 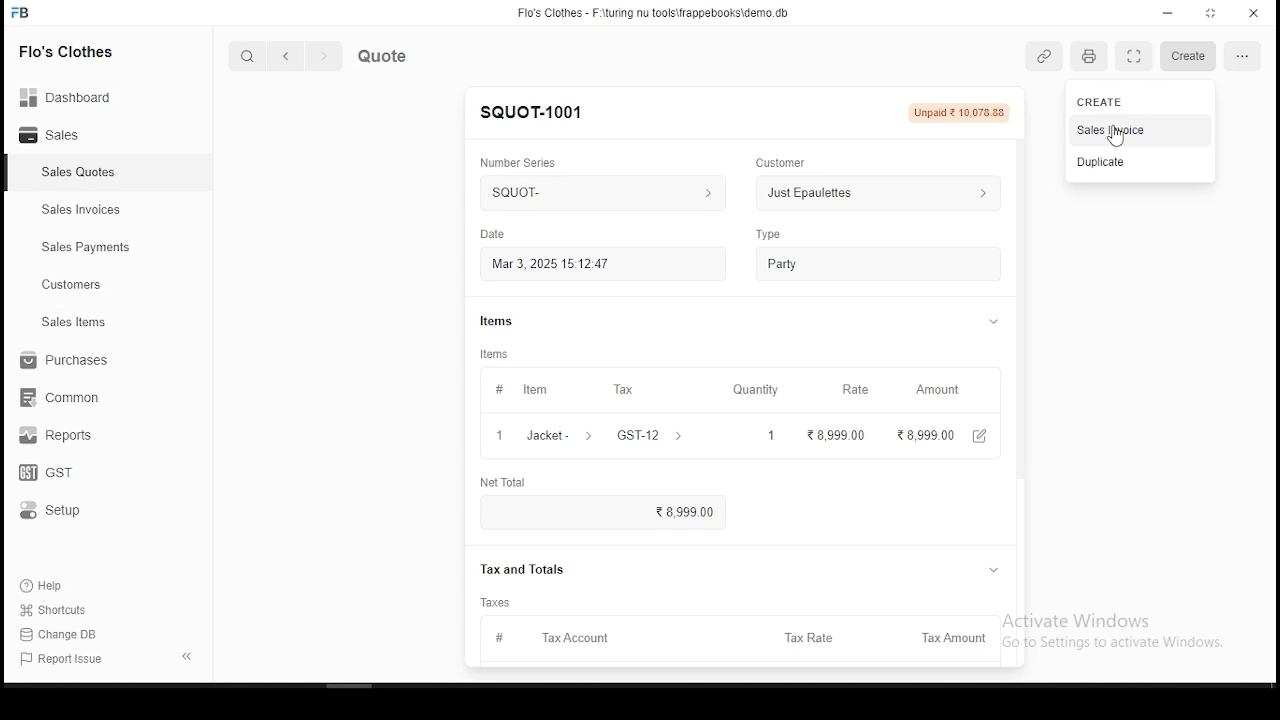 I want to click on 1-1, so click(x=237, y=658).